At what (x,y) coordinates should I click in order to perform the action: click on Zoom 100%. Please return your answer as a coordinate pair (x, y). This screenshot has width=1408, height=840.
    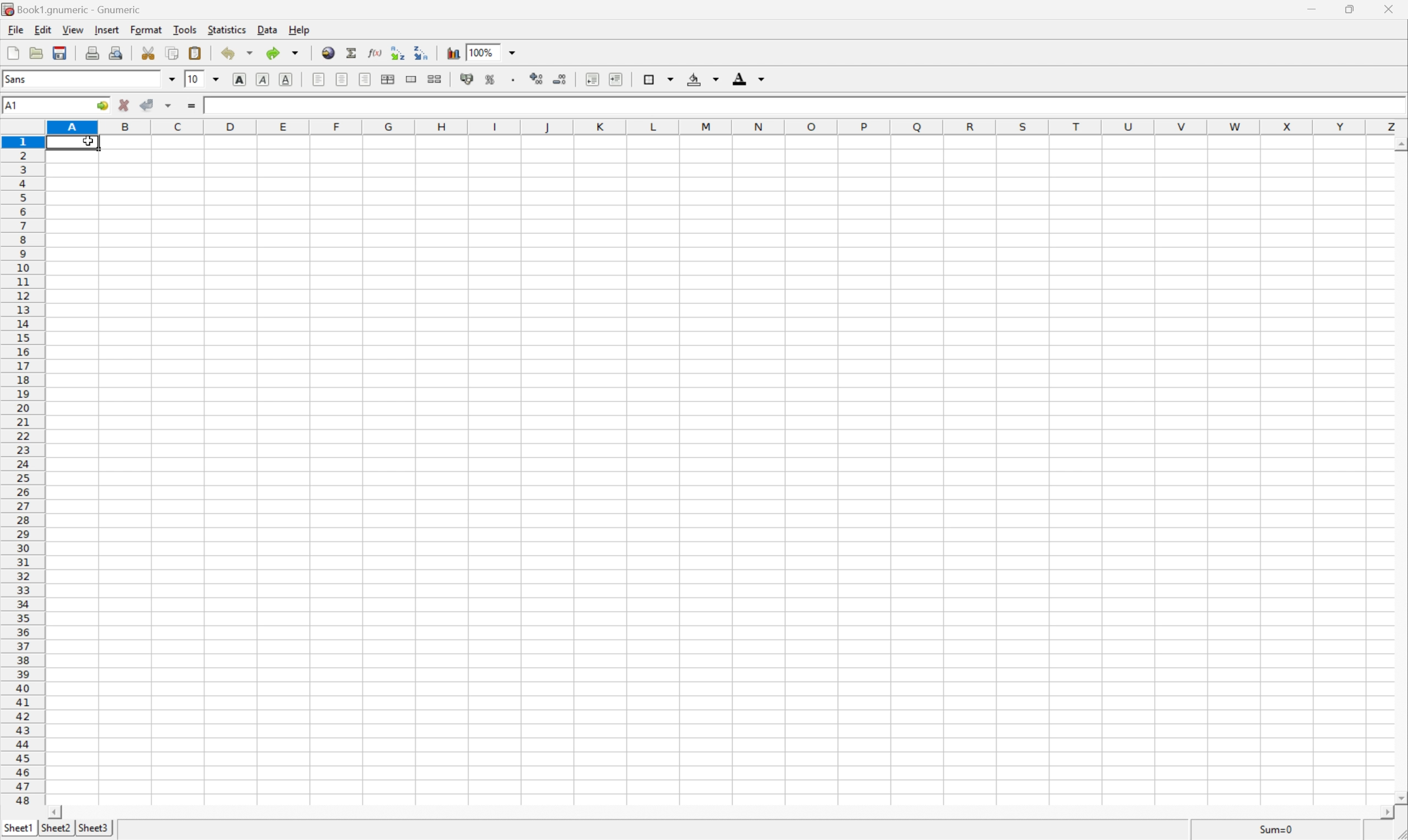
    Looking at the image, I should click on (503, 51).